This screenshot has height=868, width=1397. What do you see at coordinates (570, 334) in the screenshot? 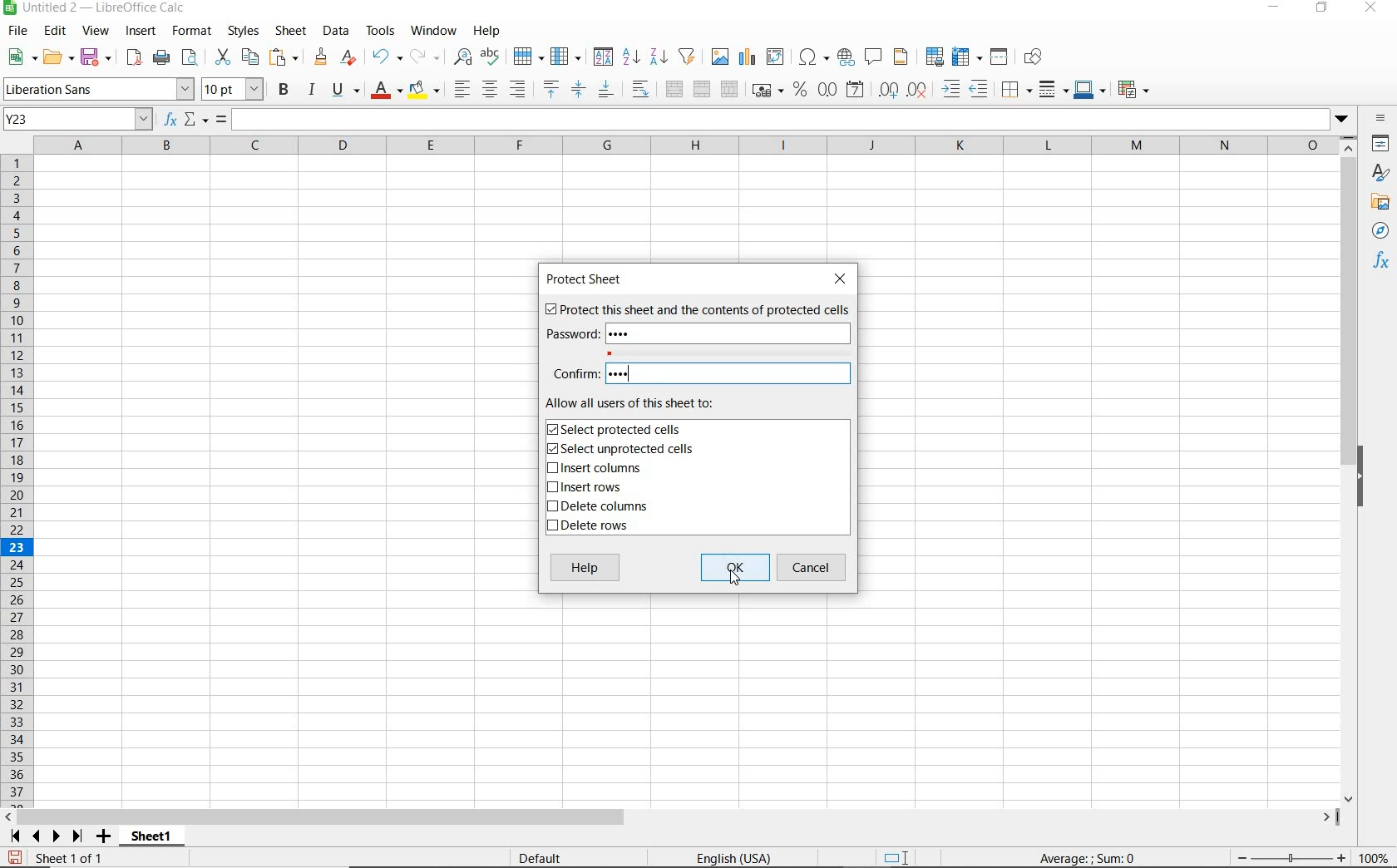
I see `password` at bounding box center [570, 334].